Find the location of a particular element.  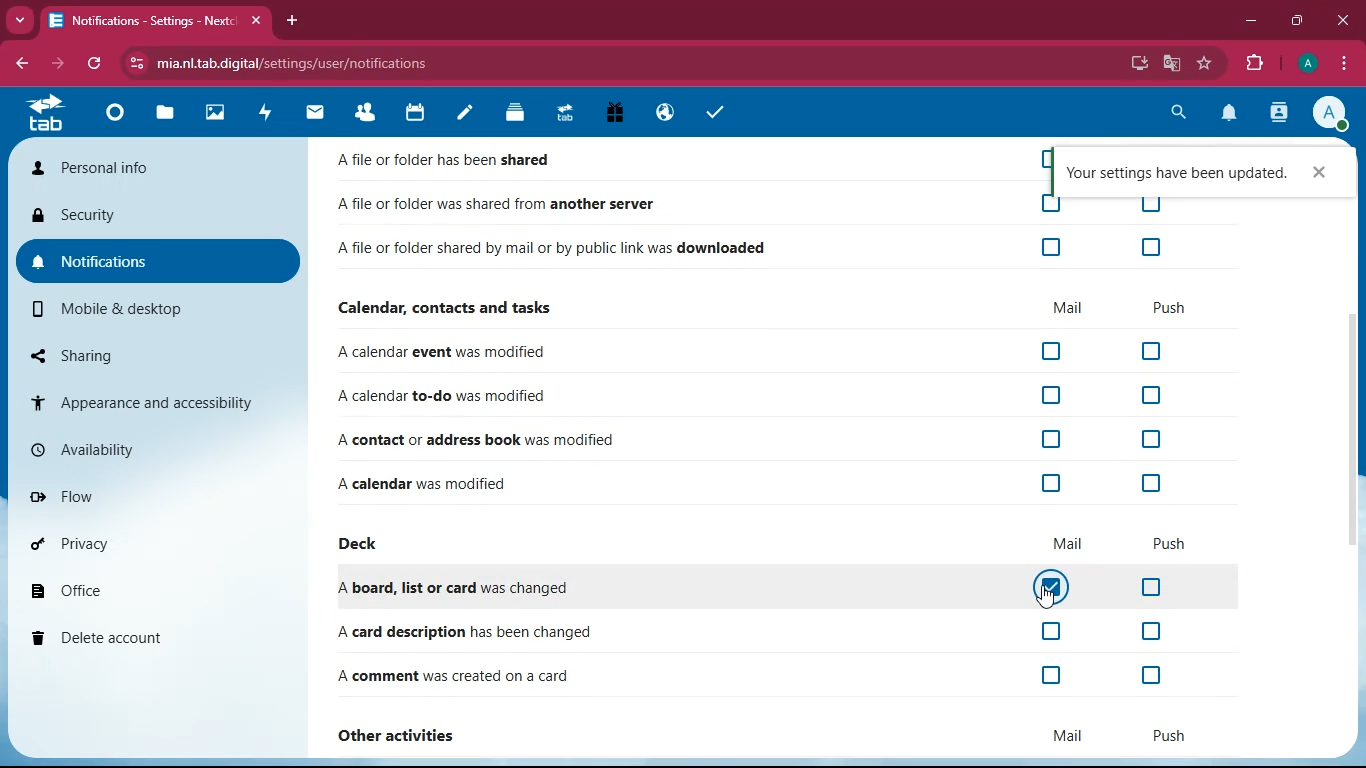

back is located at coordinates (22, 63).